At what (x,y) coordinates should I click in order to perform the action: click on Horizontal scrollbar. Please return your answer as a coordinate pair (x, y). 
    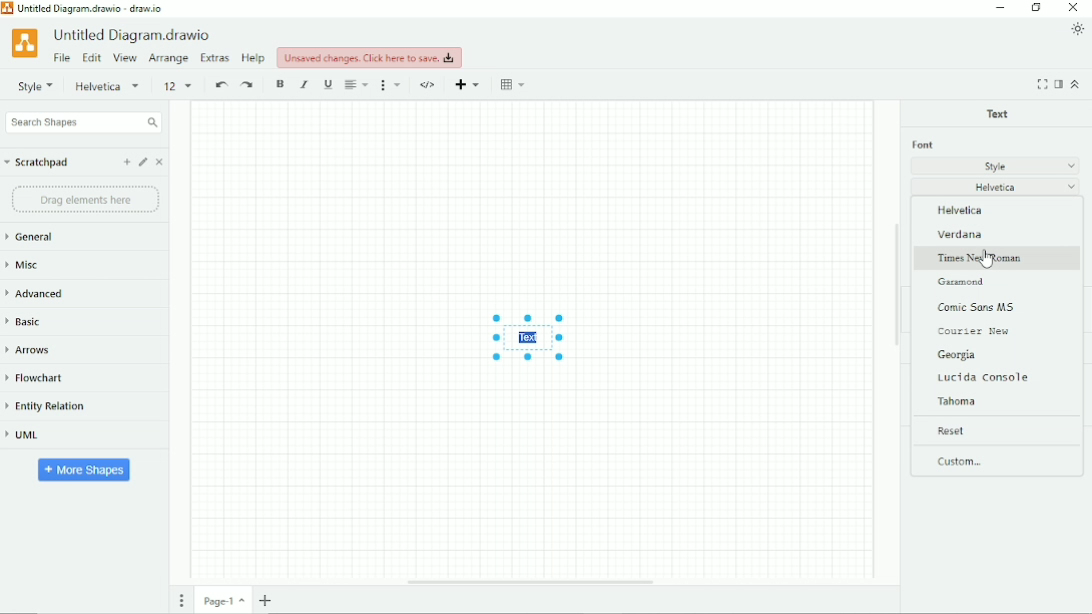
    Looking at the image, I should click on (531, 581).